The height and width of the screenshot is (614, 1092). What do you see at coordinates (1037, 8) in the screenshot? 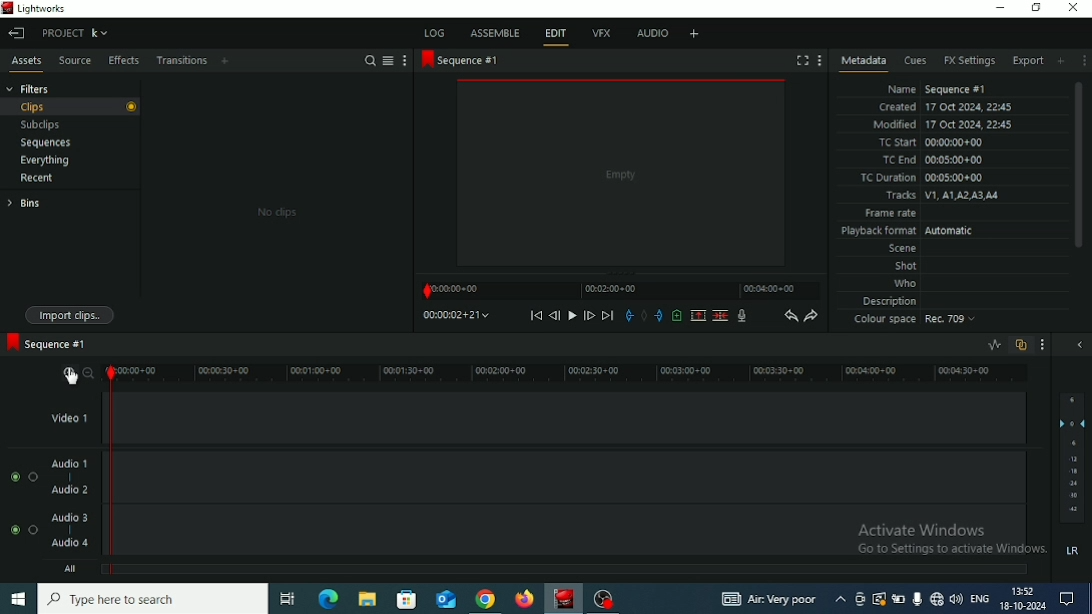
I see `Restore Down` at bounding box center [1037, 8].